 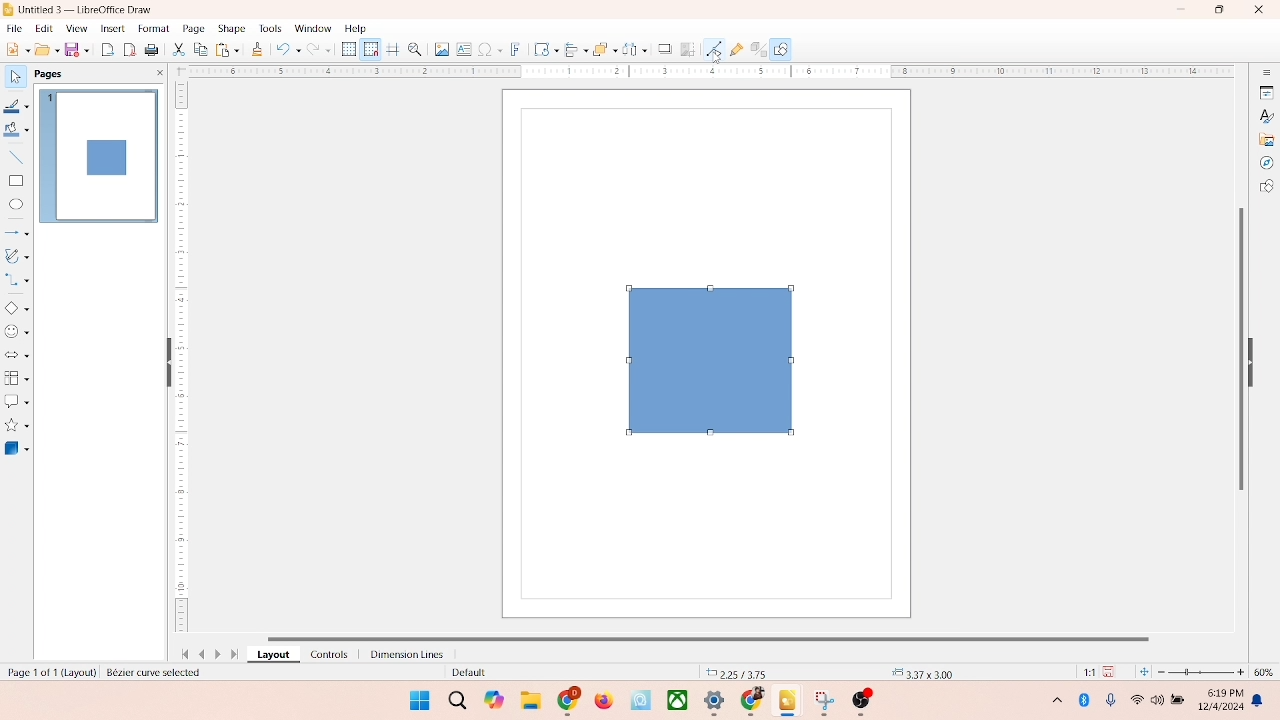 I want to click on notification, so click(x=1261, y=701).